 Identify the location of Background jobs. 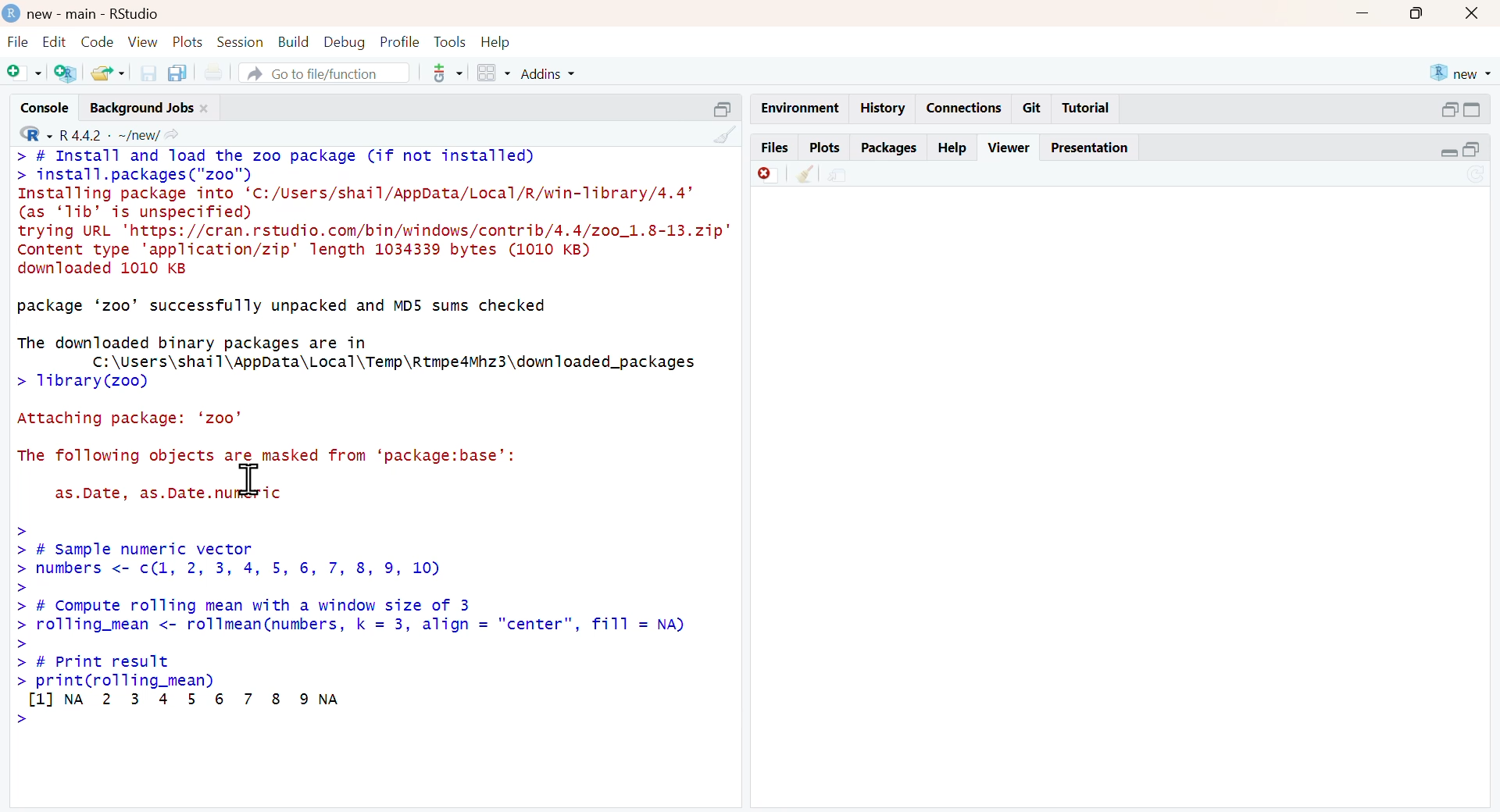
(141, 108).